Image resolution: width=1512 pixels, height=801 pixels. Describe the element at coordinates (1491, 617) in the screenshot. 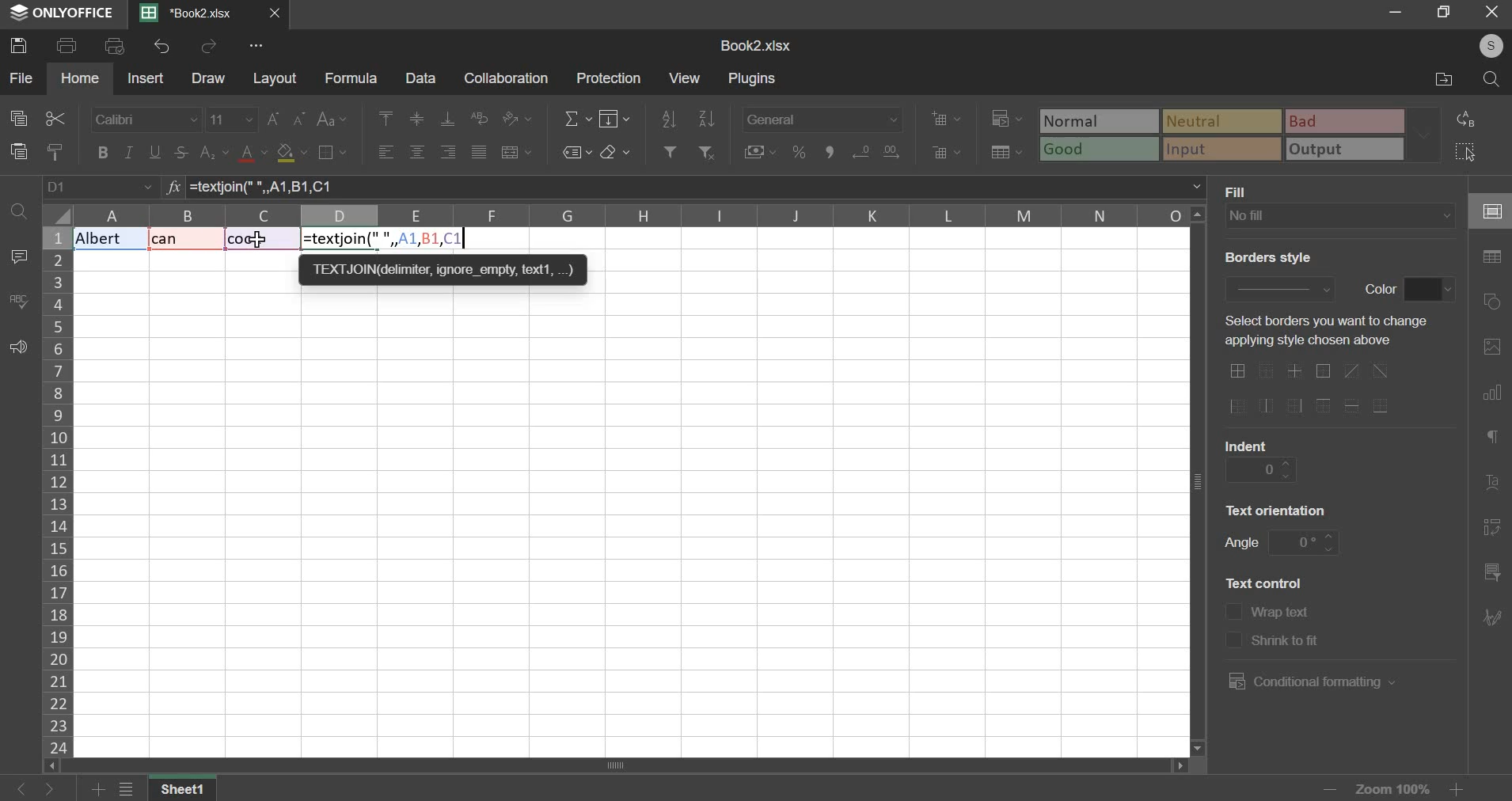

I see `signature` at that location.